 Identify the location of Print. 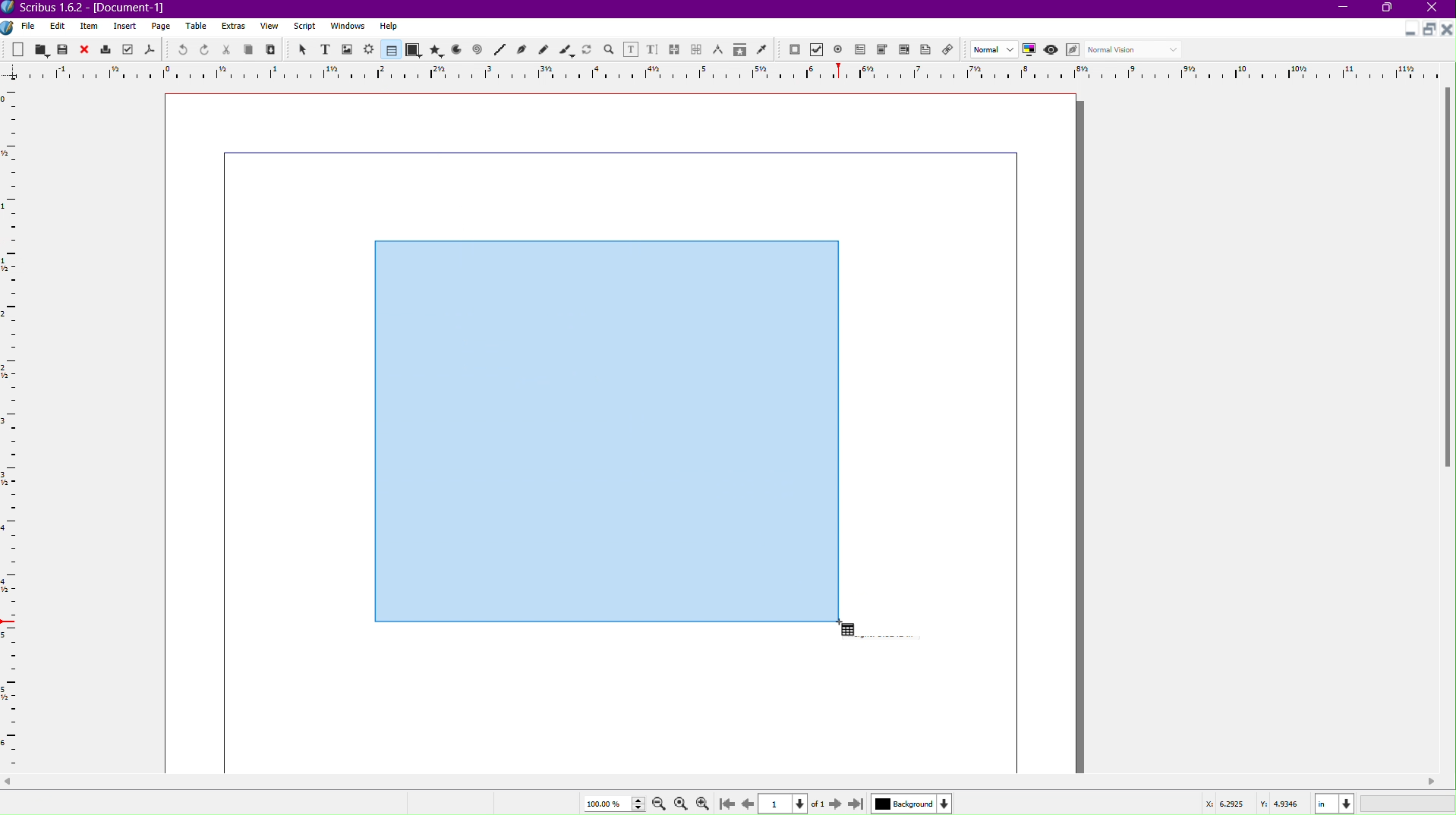
(106, 49).